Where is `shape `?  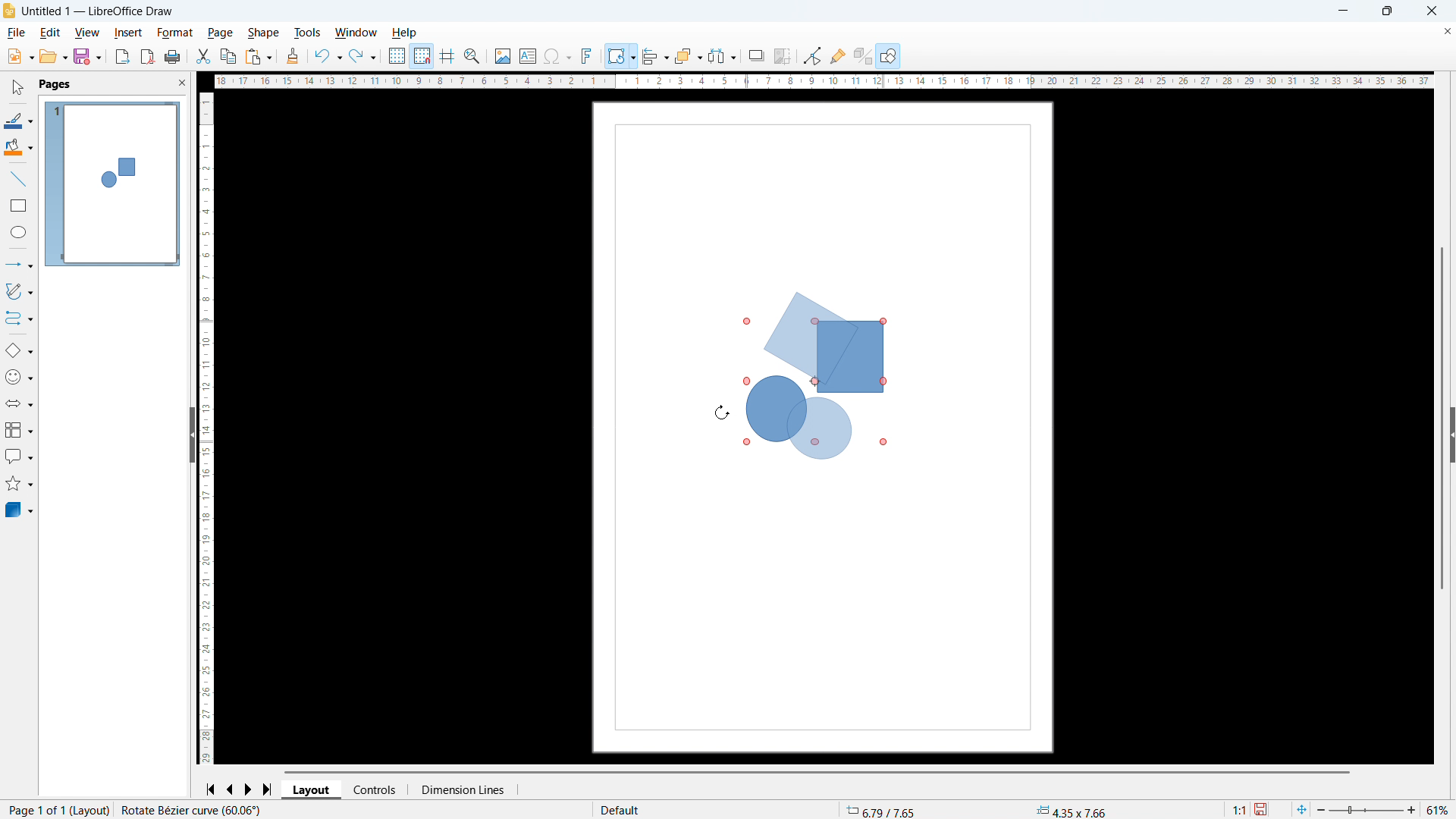 shape  is located at coordinates (264, 33).